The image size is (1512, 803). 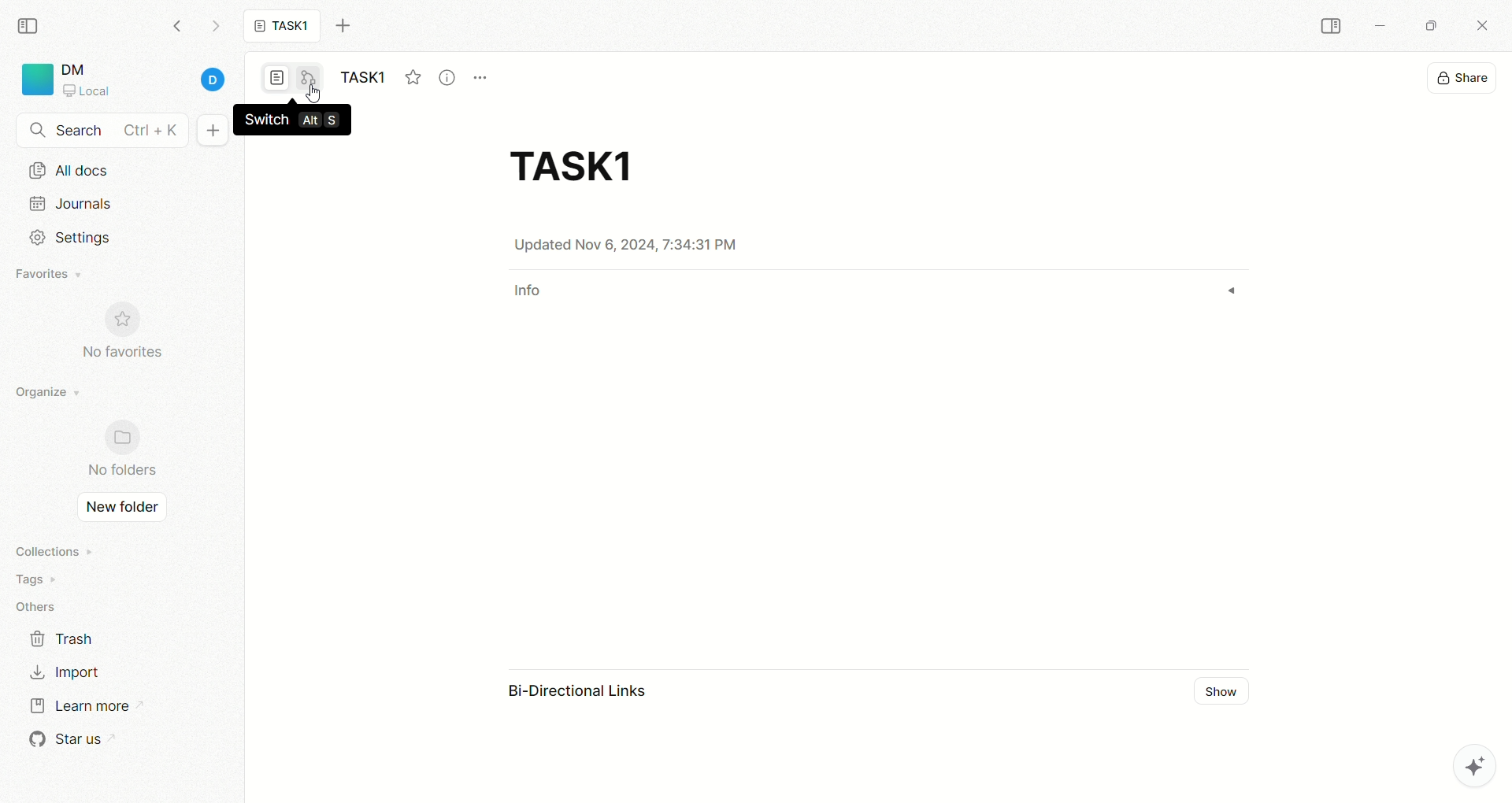 What do you see at coordinates (591, 694) in the screenshot?
I see `bi-directional link` at bounding box center [591, 694].